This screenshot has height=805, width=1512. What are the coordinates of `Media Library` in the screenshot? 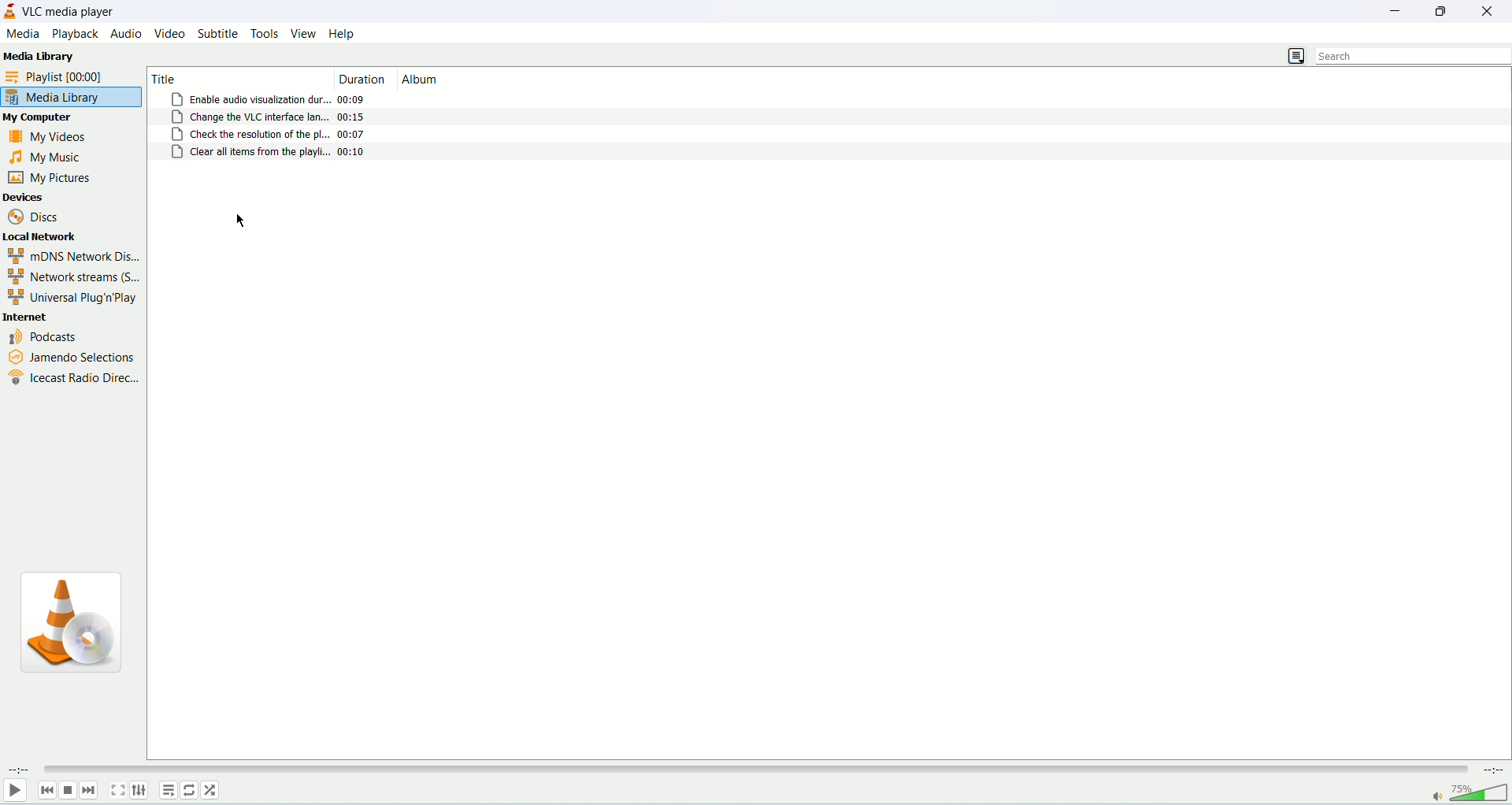 It's located at (39, 54).